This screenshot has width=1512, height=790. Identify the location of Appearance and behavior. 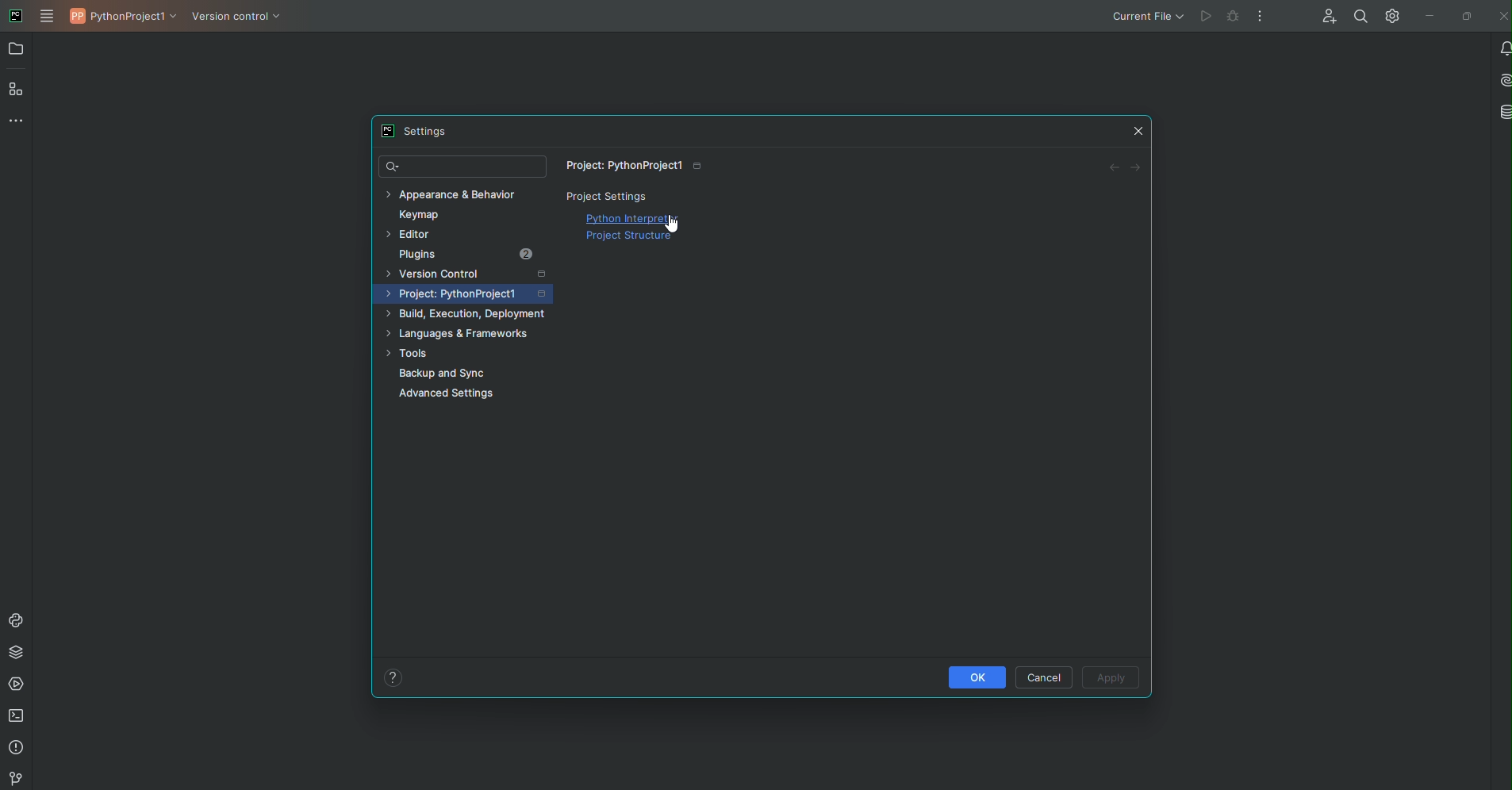
(456, 194).